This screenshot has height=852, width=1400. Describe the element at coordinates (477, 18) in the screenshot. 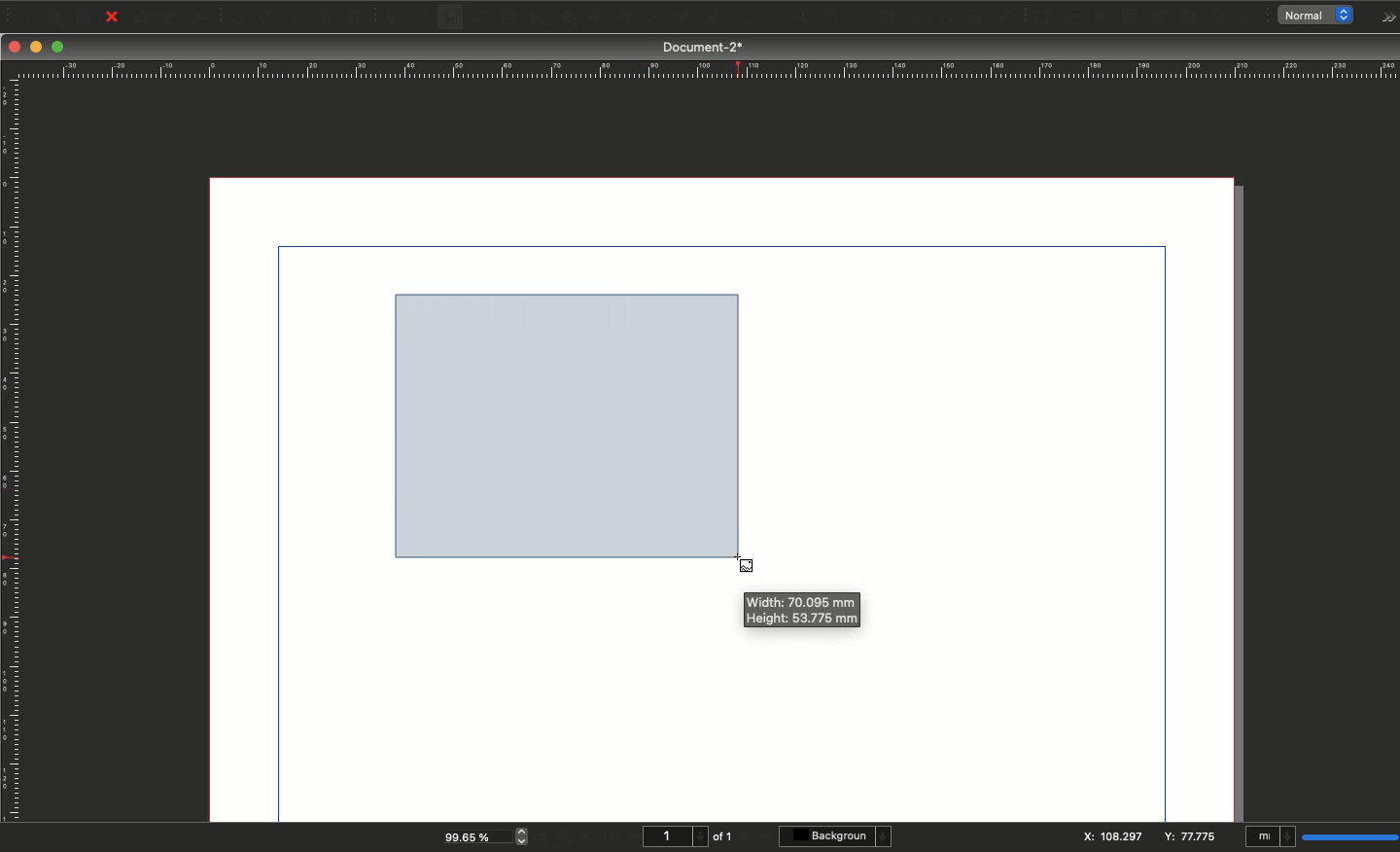

I see `Render frame` at that location.